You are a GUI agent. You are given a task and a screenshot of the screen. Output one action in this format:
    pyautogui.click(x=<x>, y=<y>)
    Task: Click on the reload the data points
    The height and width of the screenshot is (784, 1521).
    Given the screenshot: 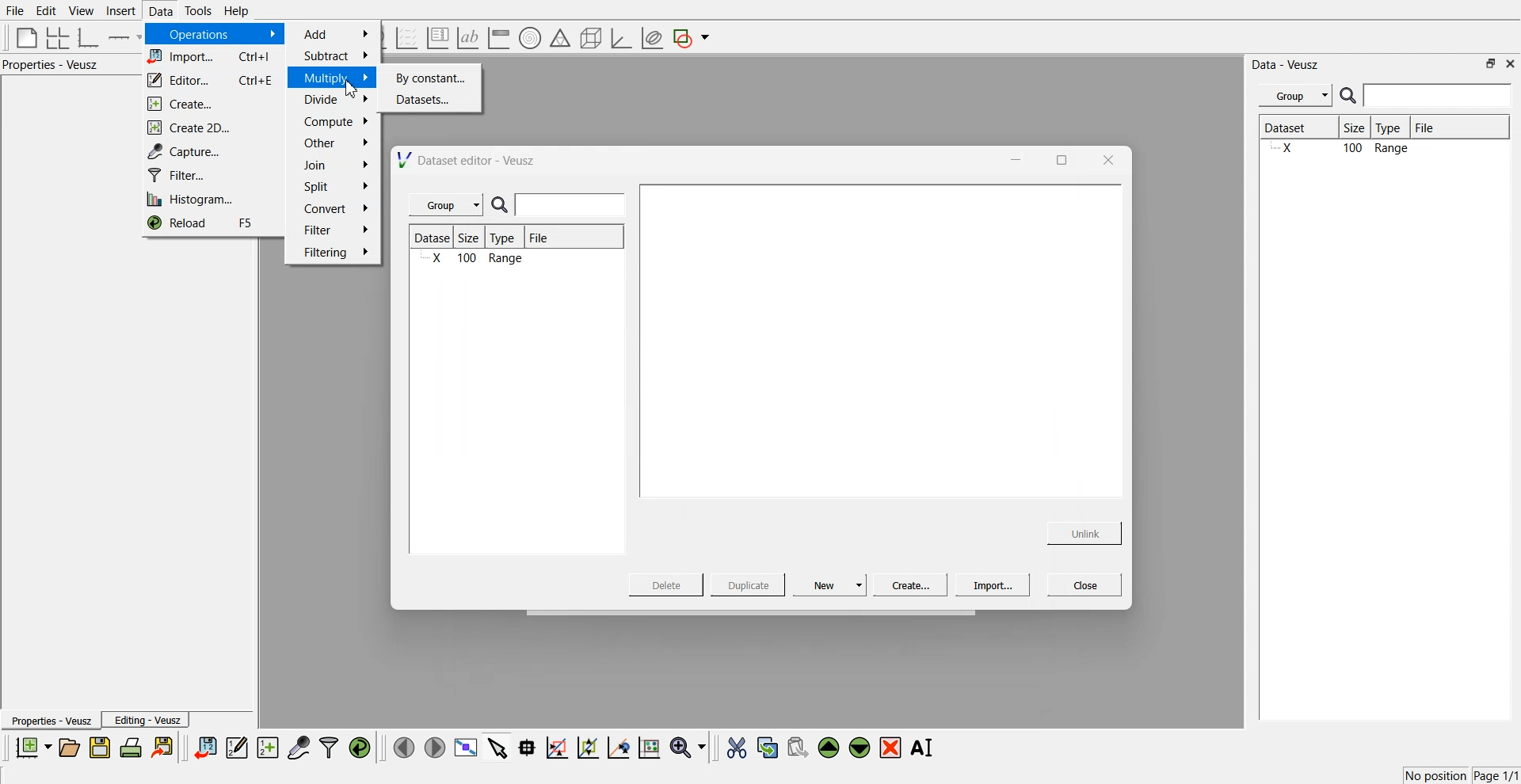 What is the action you would take?
    pyautogui.click(x=360, y=748)
    